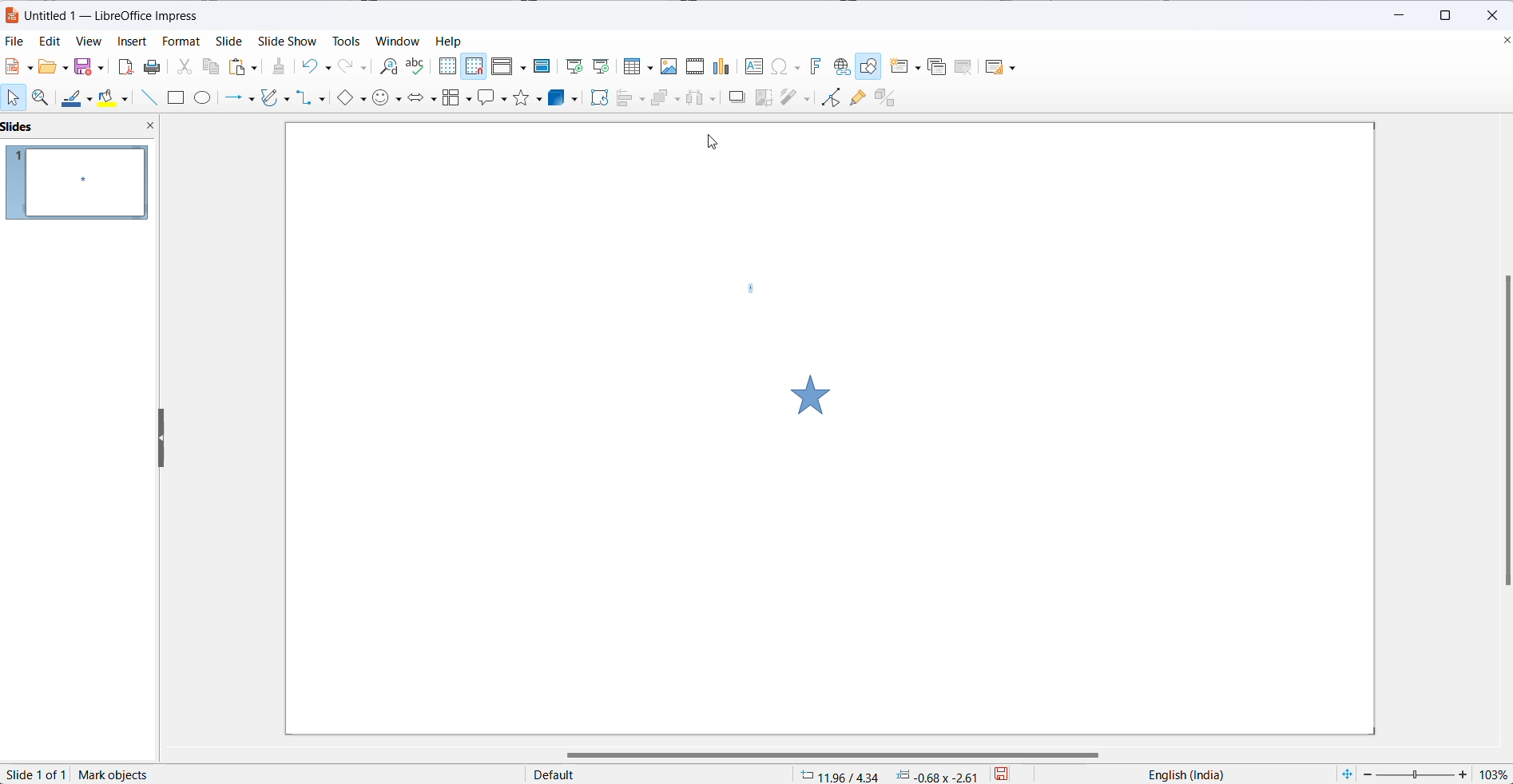  Describe the element at coordinates (14, 97) in the screenshot. I see `select` at that location.